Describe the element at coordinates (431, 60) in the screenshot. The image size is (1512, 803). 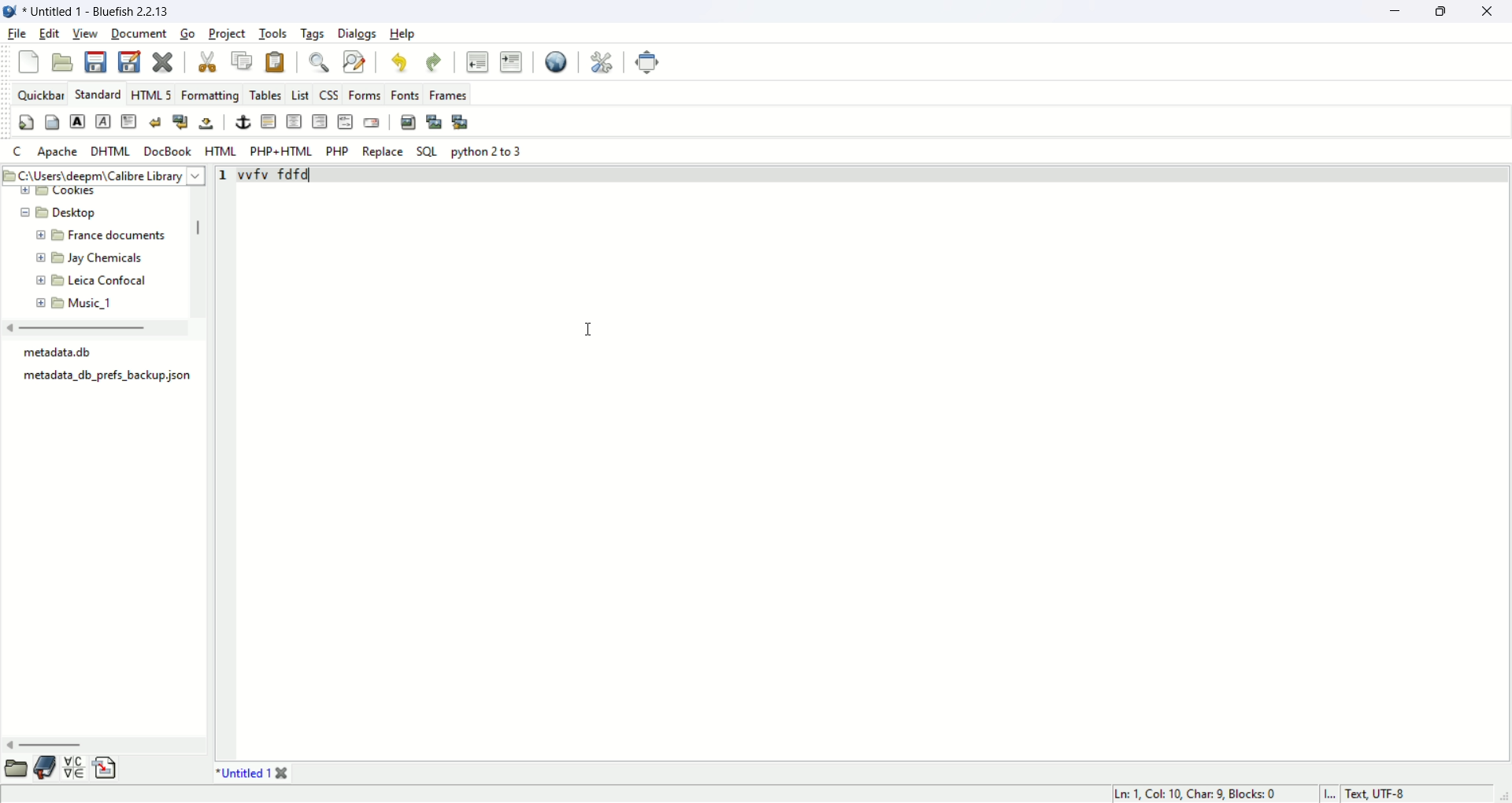
I see `redo` at that location.